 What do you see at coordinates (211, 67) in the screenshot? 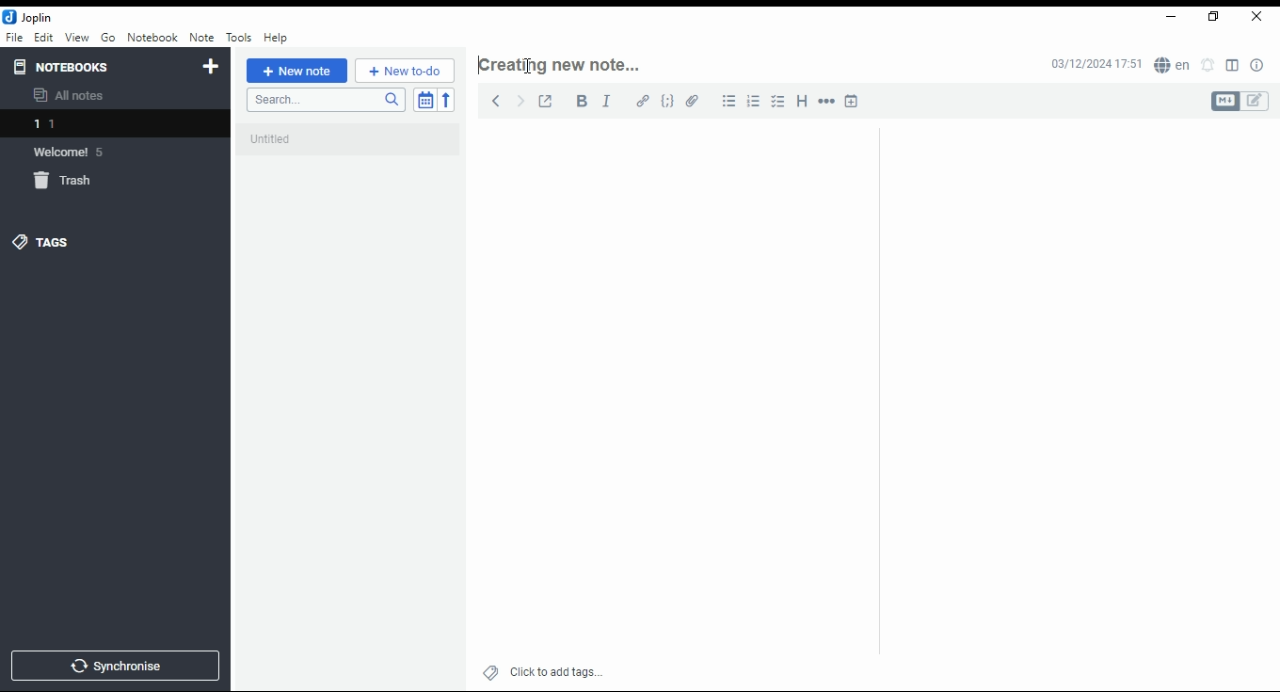
I see `new notebook` at bounding box center [211, 67].